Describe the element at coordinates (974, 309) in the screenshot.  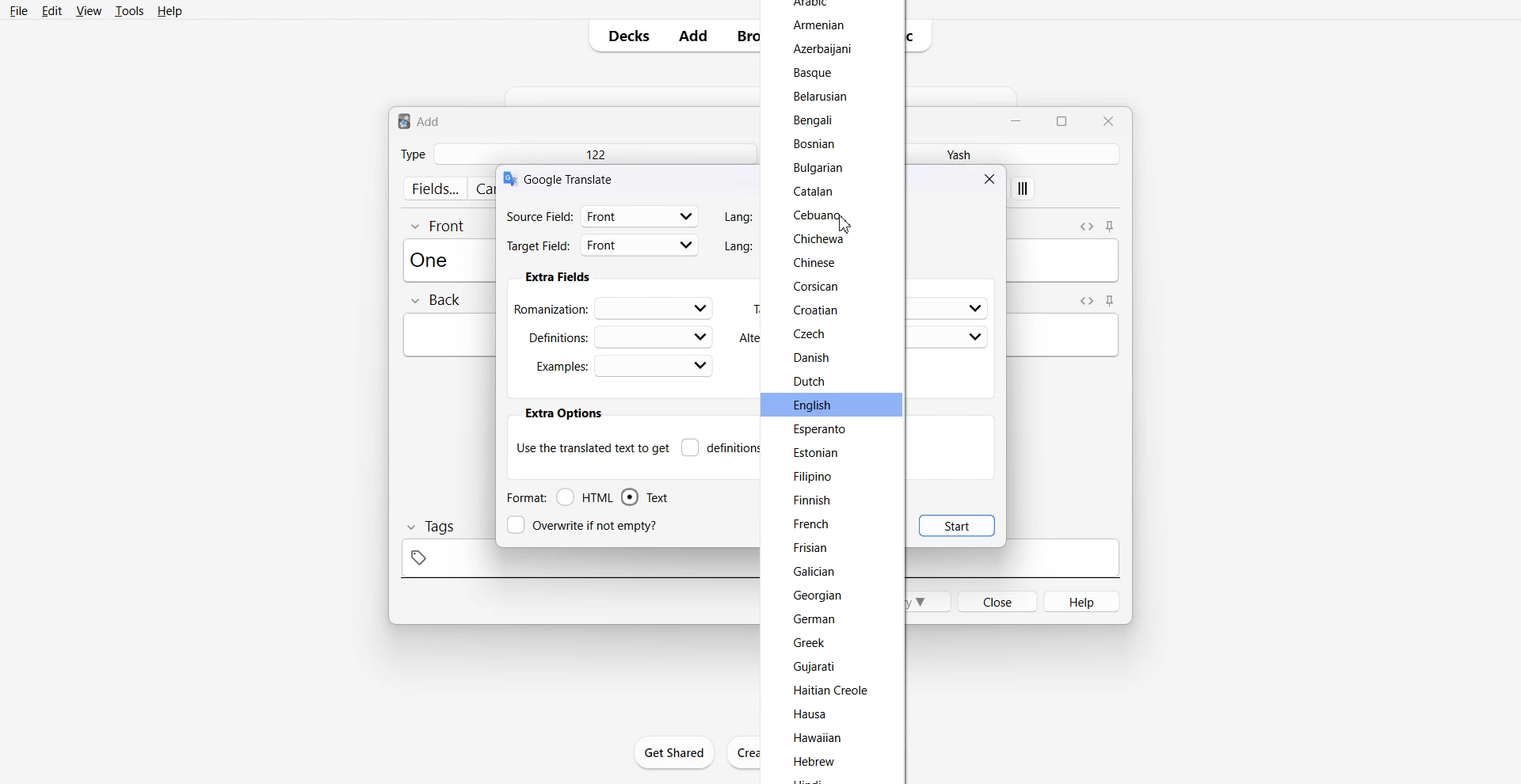
I see `dropdown` at that location.